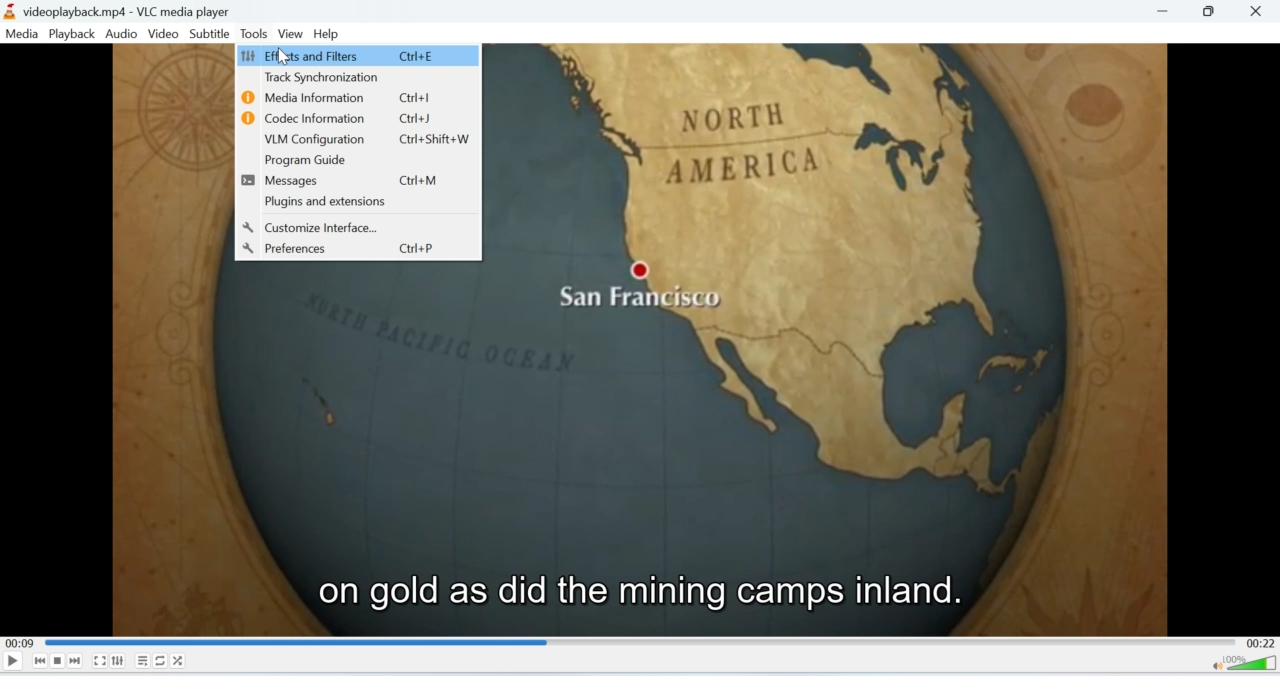 The image size is (1280, 676). I want to click on 00:09, so click(18, 642).